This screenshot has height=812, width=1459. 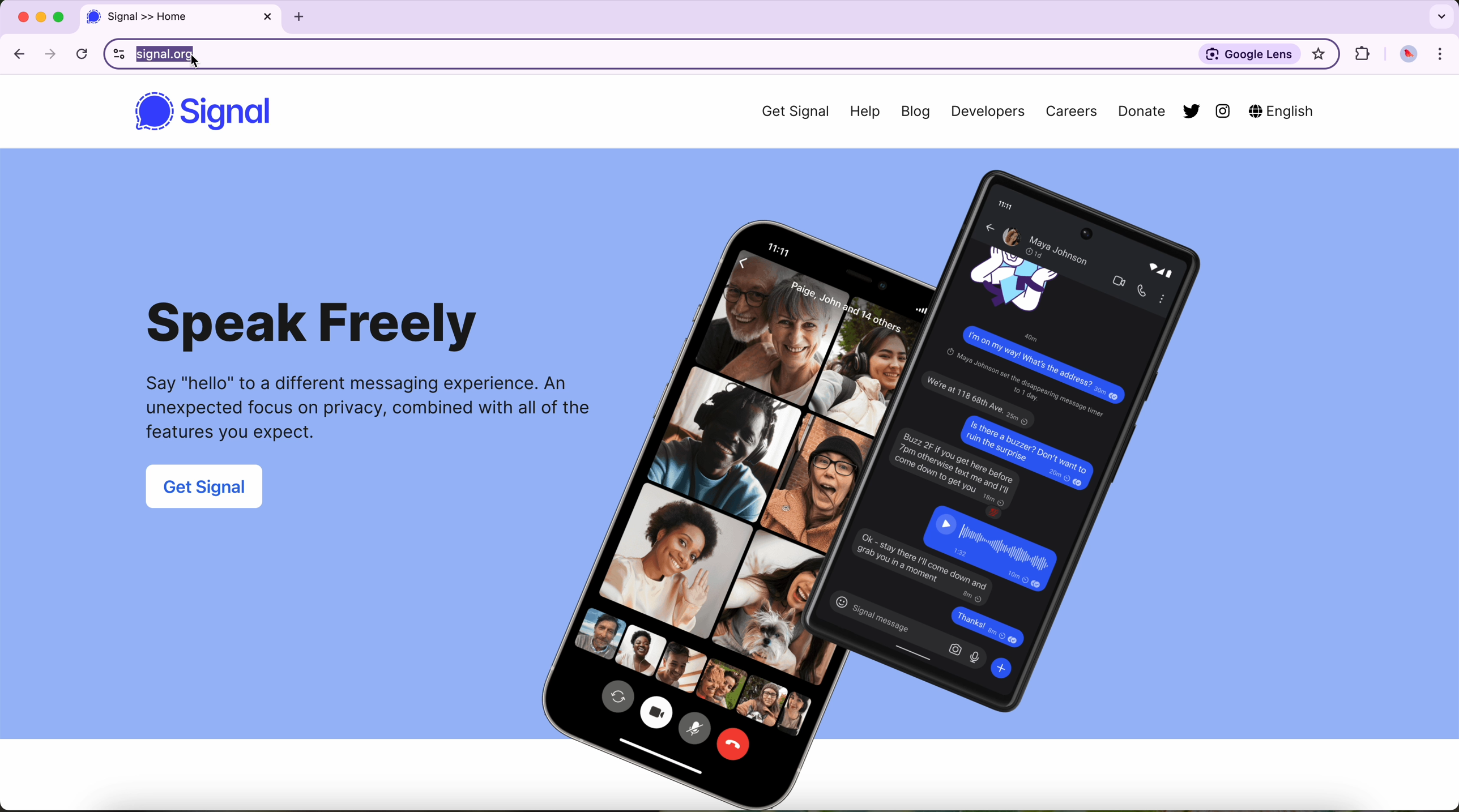 I want to click on Careers, so click(x=1070, y=113).